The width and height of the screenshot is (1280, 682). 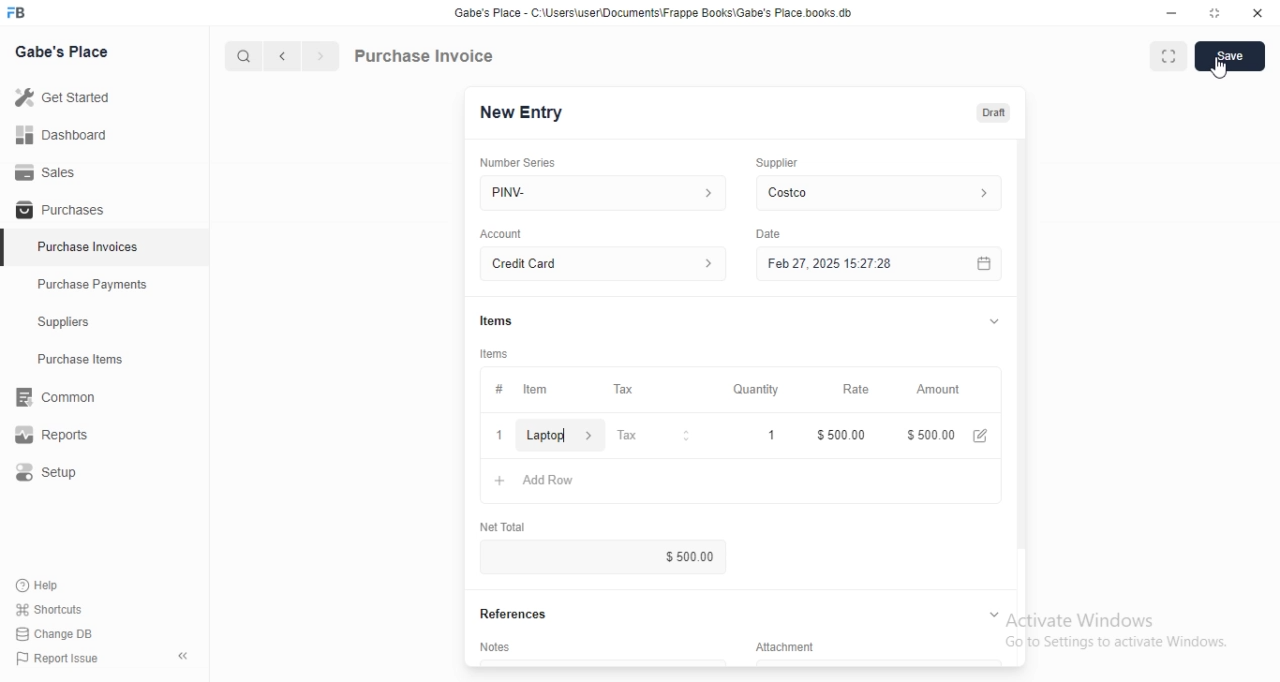 What do you see at coordinates (930, 435) in the screenshot?
I see `$ 500.00` at bounding box center [930, 435].